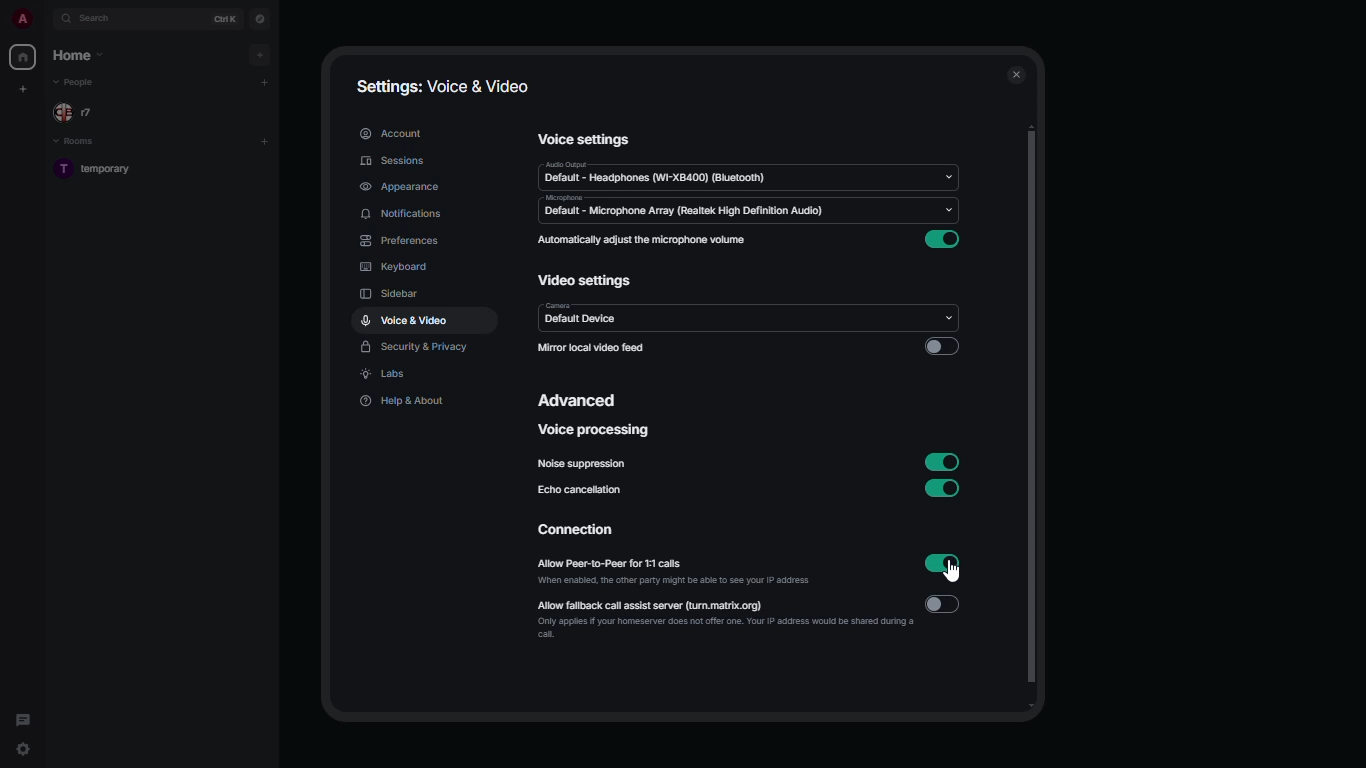 This screenshot has width=1366, height=768. What do you see at coordinates (943, 490) in the screenshot?
I see `enabled` at bounding box center [943, 490].